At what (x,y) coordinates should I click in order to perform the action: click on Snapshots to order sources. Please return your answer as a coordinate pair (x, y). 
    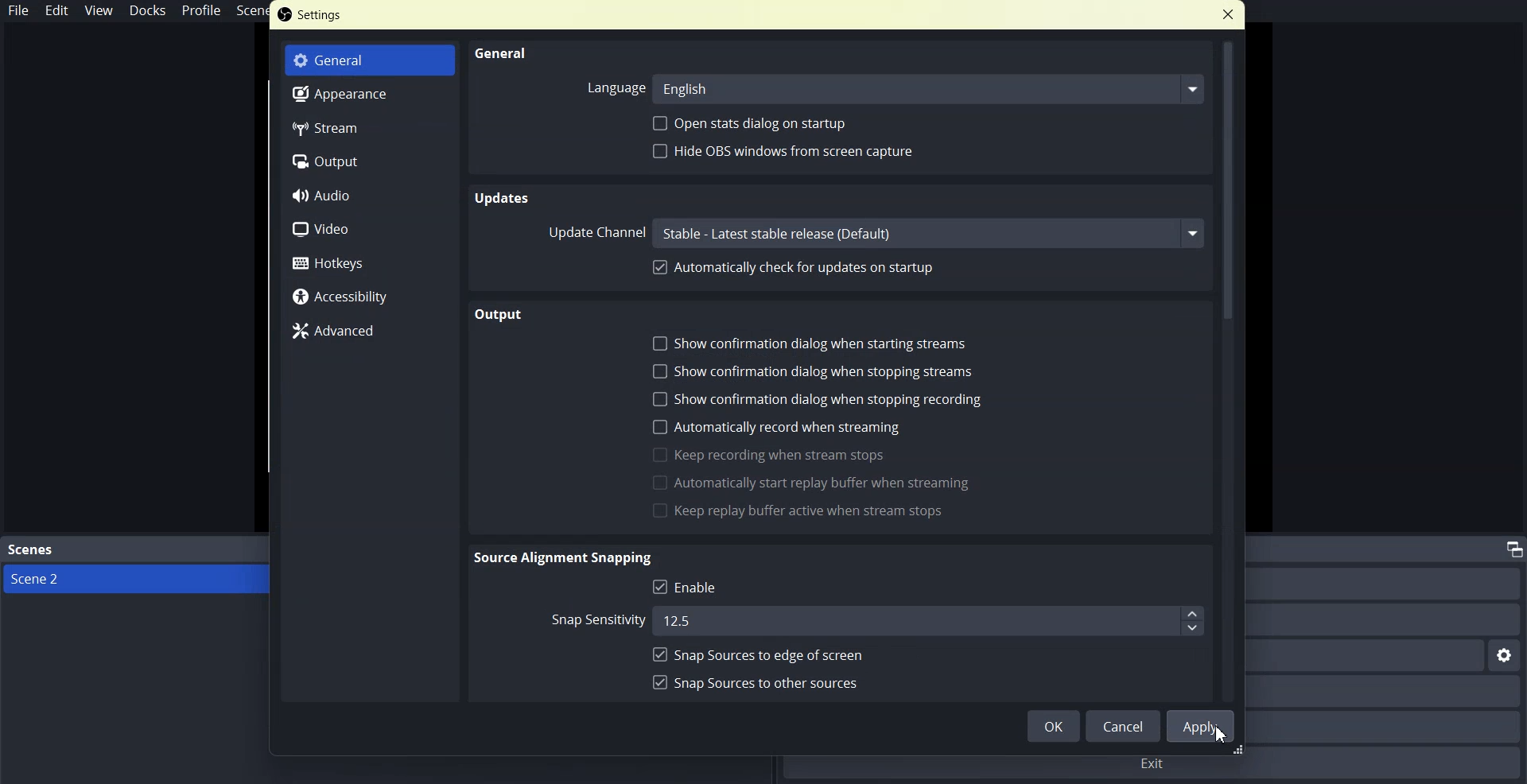
    Looking at the image, I should click on (757, 681).